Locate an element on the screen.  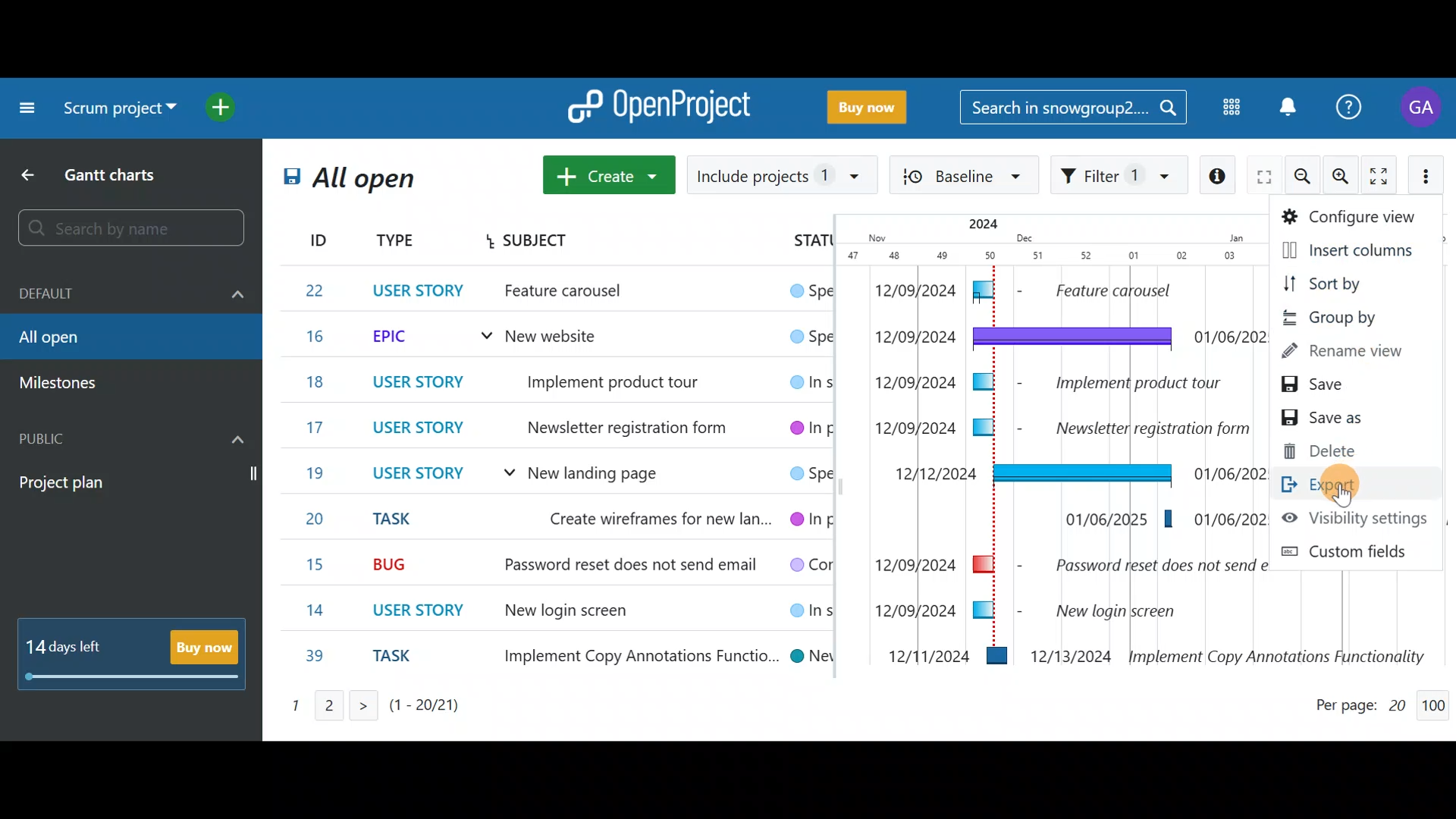
OpenProject is located at coordinates (664, 104).